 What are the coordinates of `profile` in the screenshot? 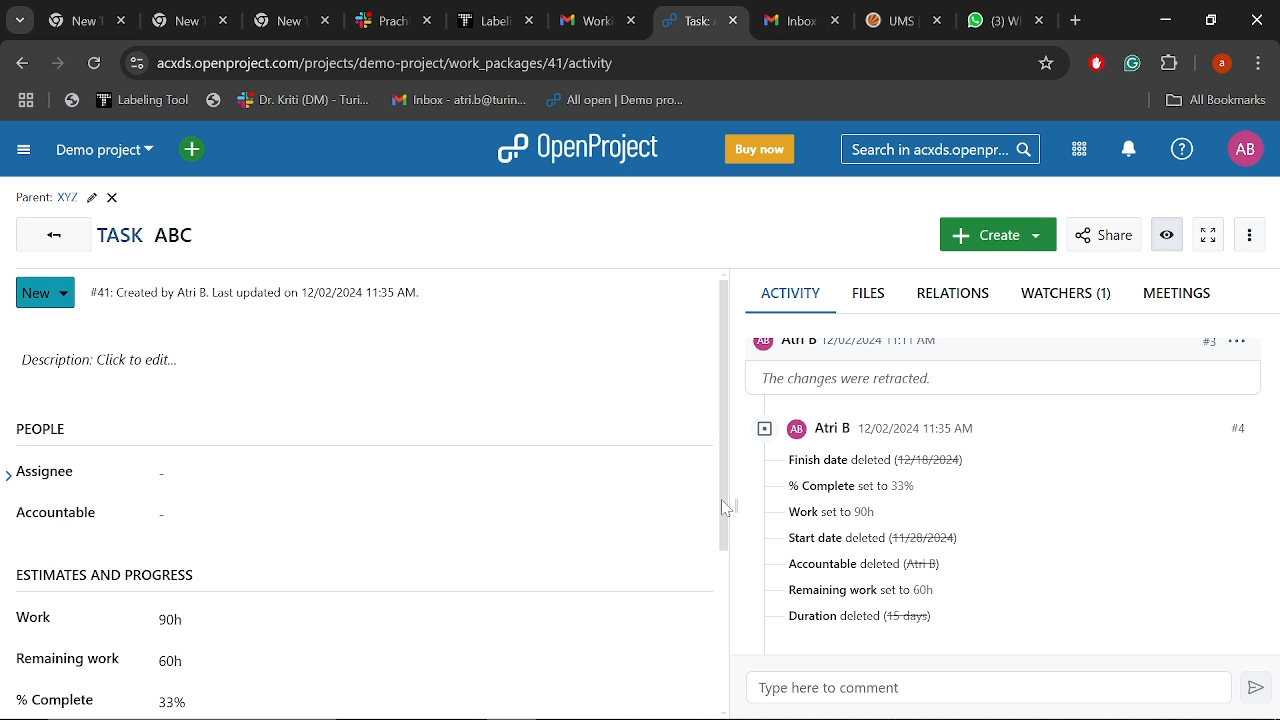 It's located at (956, 427).